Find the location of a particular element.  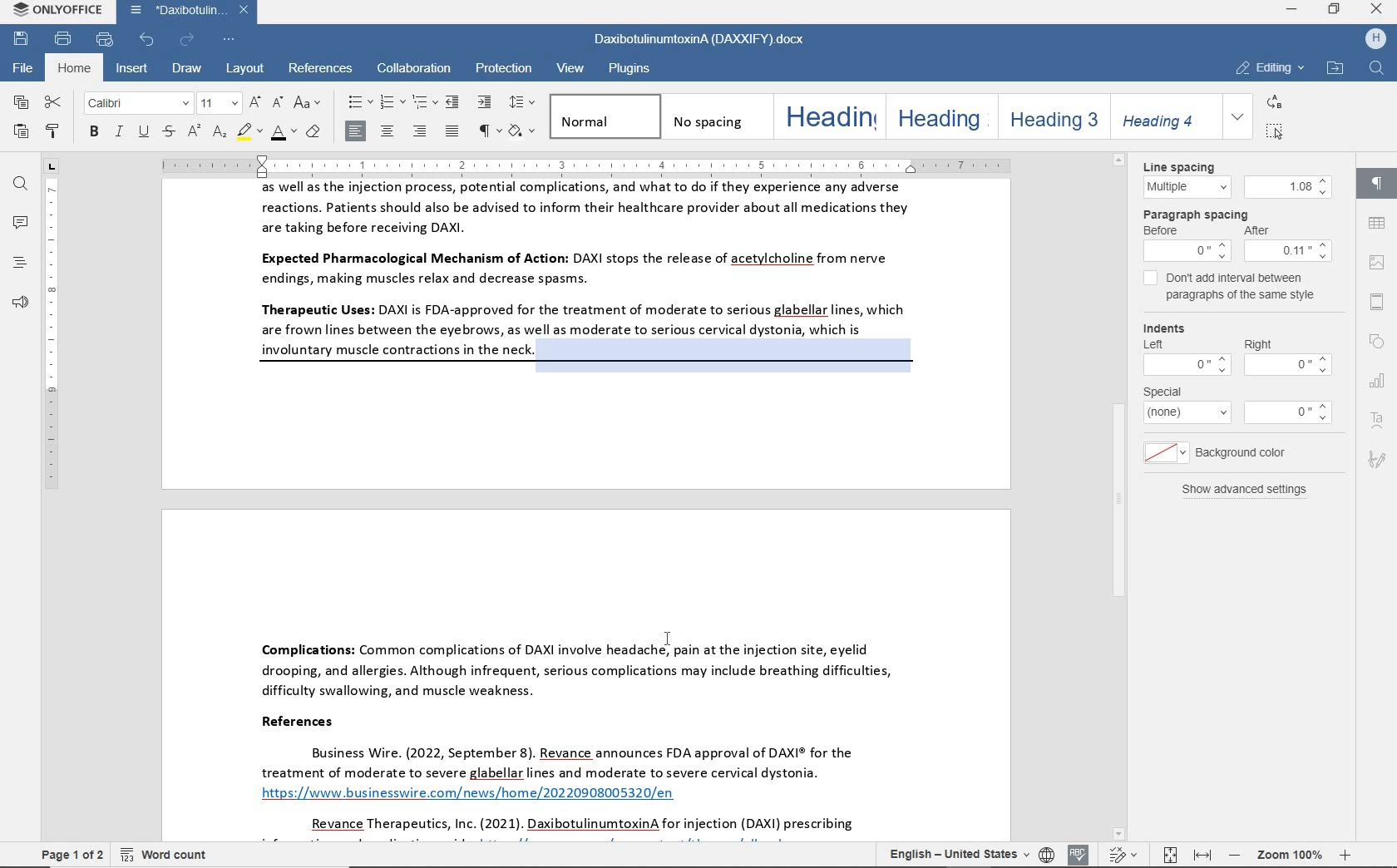

table is located at coordinates (1375, 224).